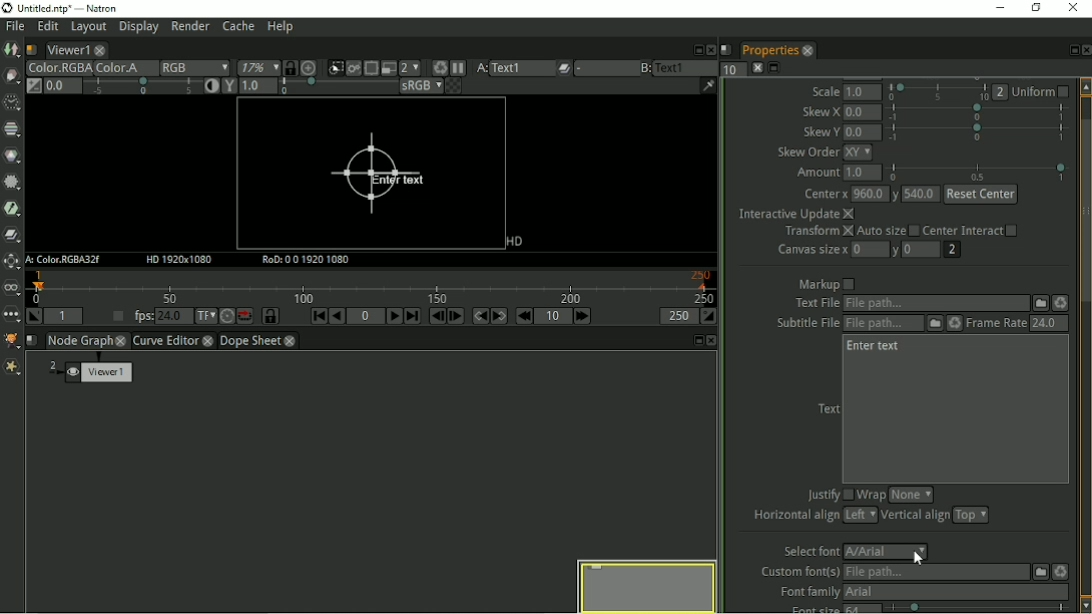 This screenshot has height=614, width=1092. What do you see at coordinates (356, 66) in the screenshot?
I see `Render the image` at bounding box center [356, 66].